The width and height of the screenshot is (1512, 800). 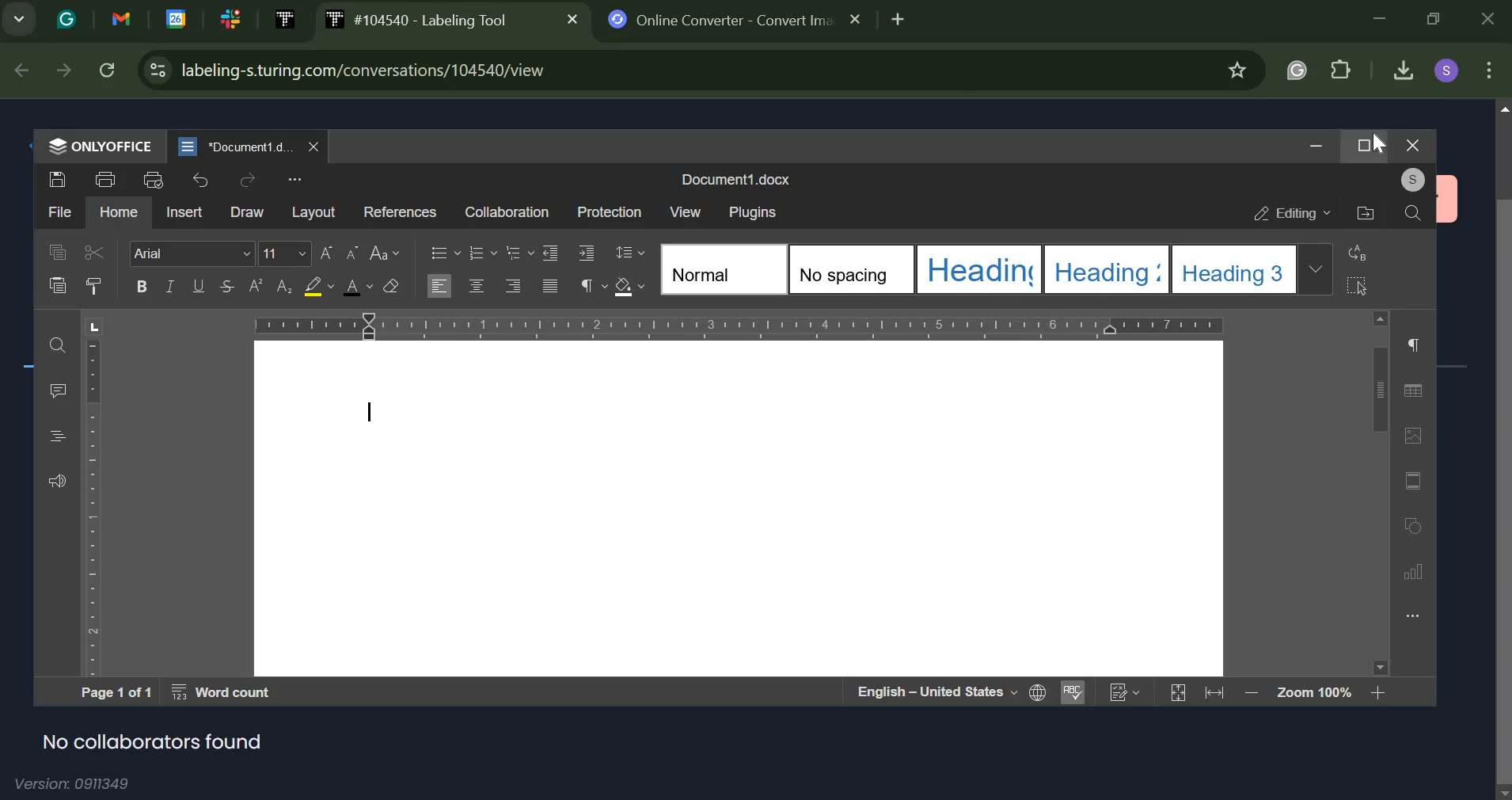 What do you see at coordinates (518, 251) in the screenshot?
I see `multilevel listing` at bounding box center [518, 251].